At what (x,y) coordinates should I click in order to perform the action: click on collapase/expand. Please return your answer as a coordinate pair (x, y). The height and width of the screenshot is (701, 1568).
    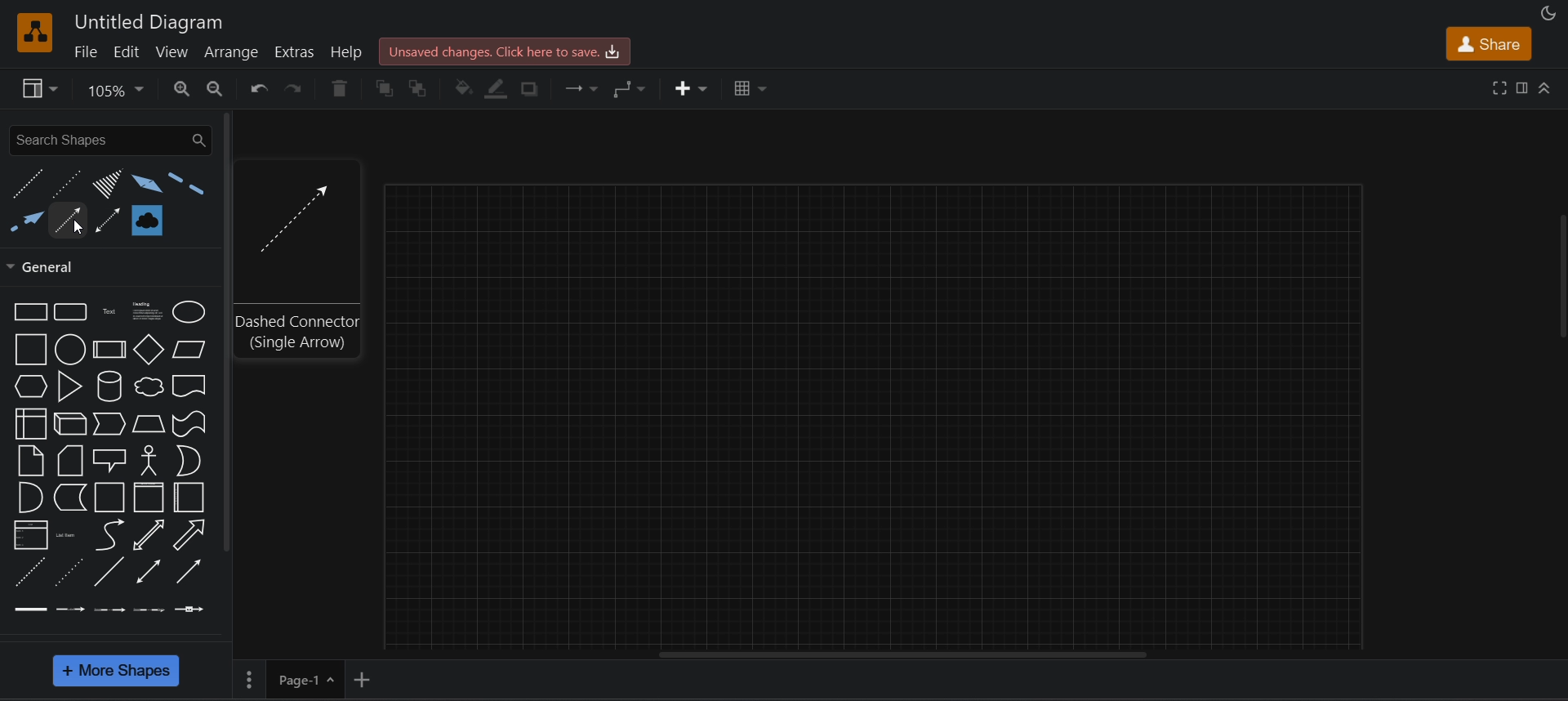
    Looking at the image, I should click on (1547, 89).